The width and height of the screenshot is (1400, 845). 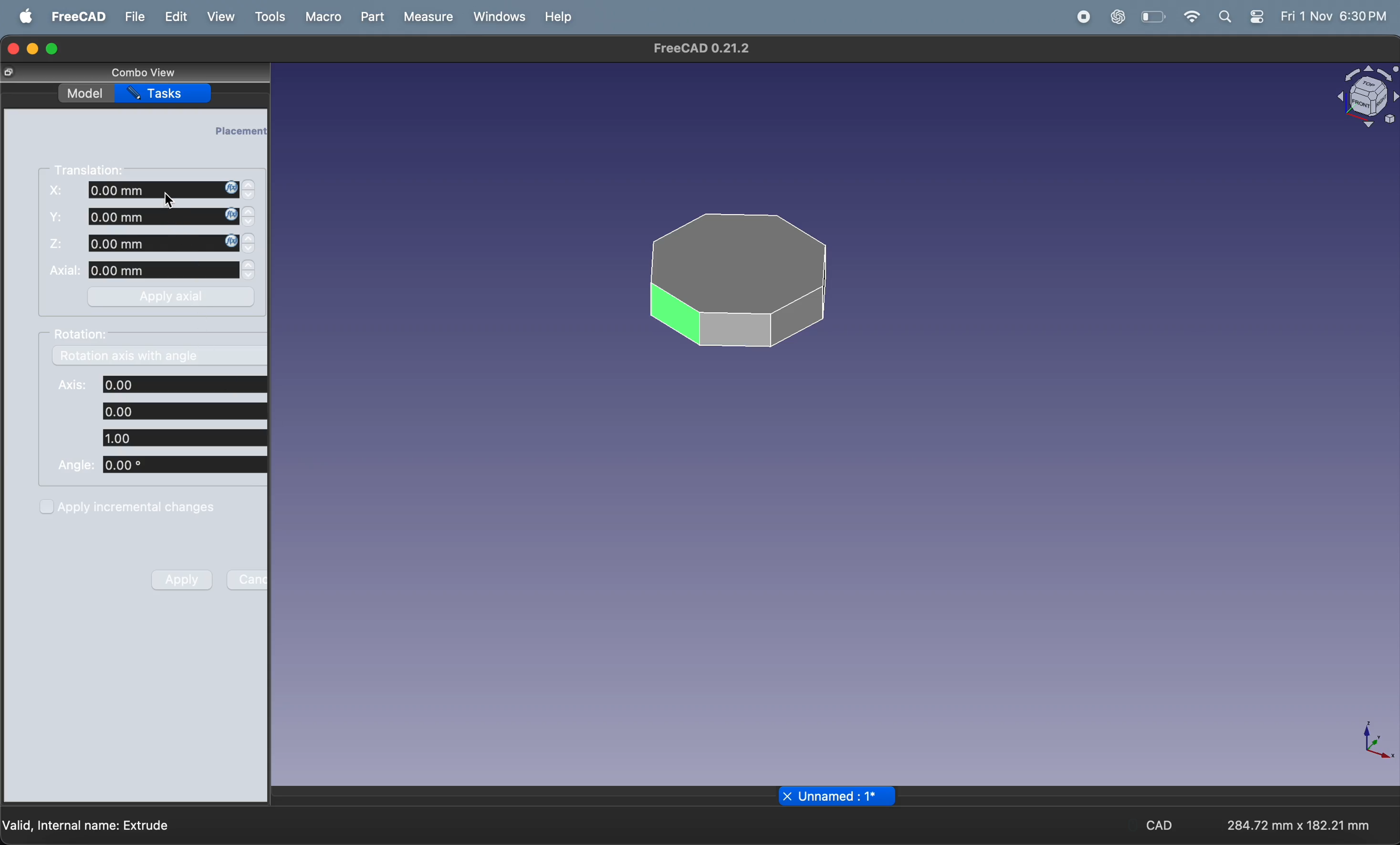 I want to click on chatgpt, so click(x=1118, y=17).